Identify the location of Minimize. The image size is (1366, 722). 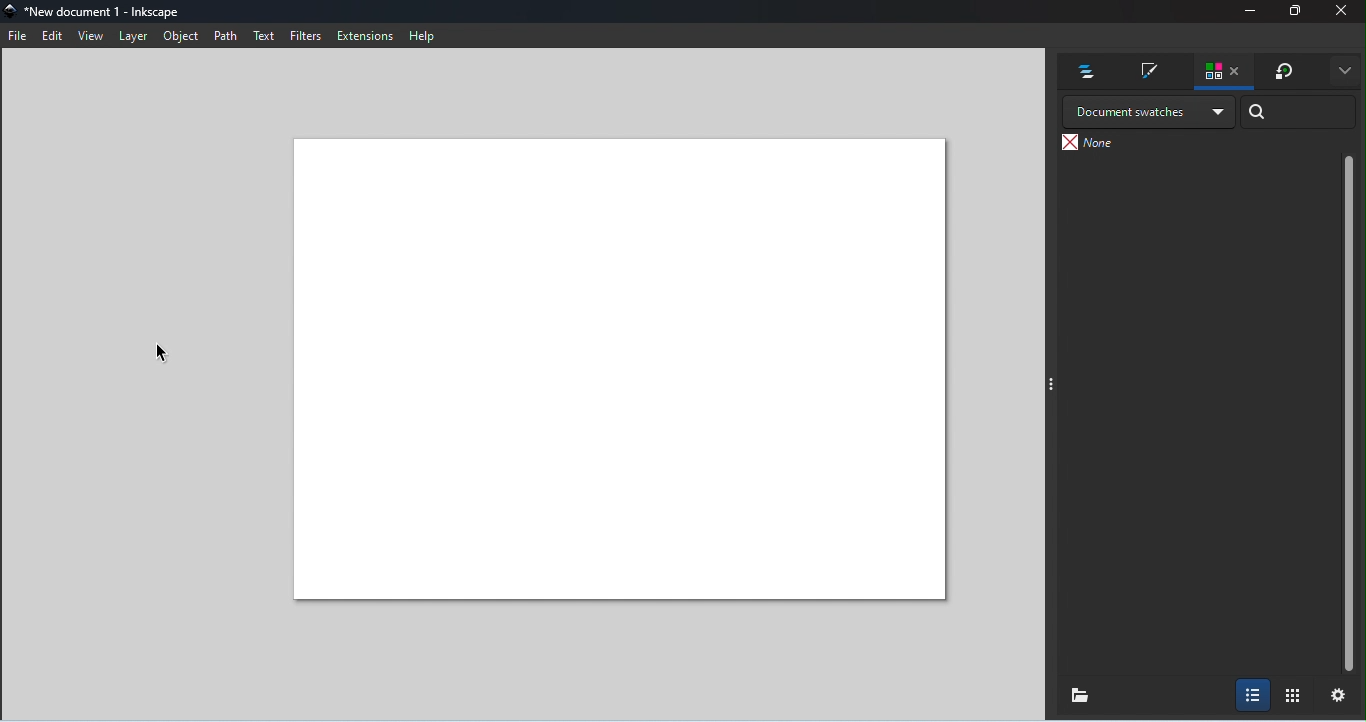
(1242, 11).